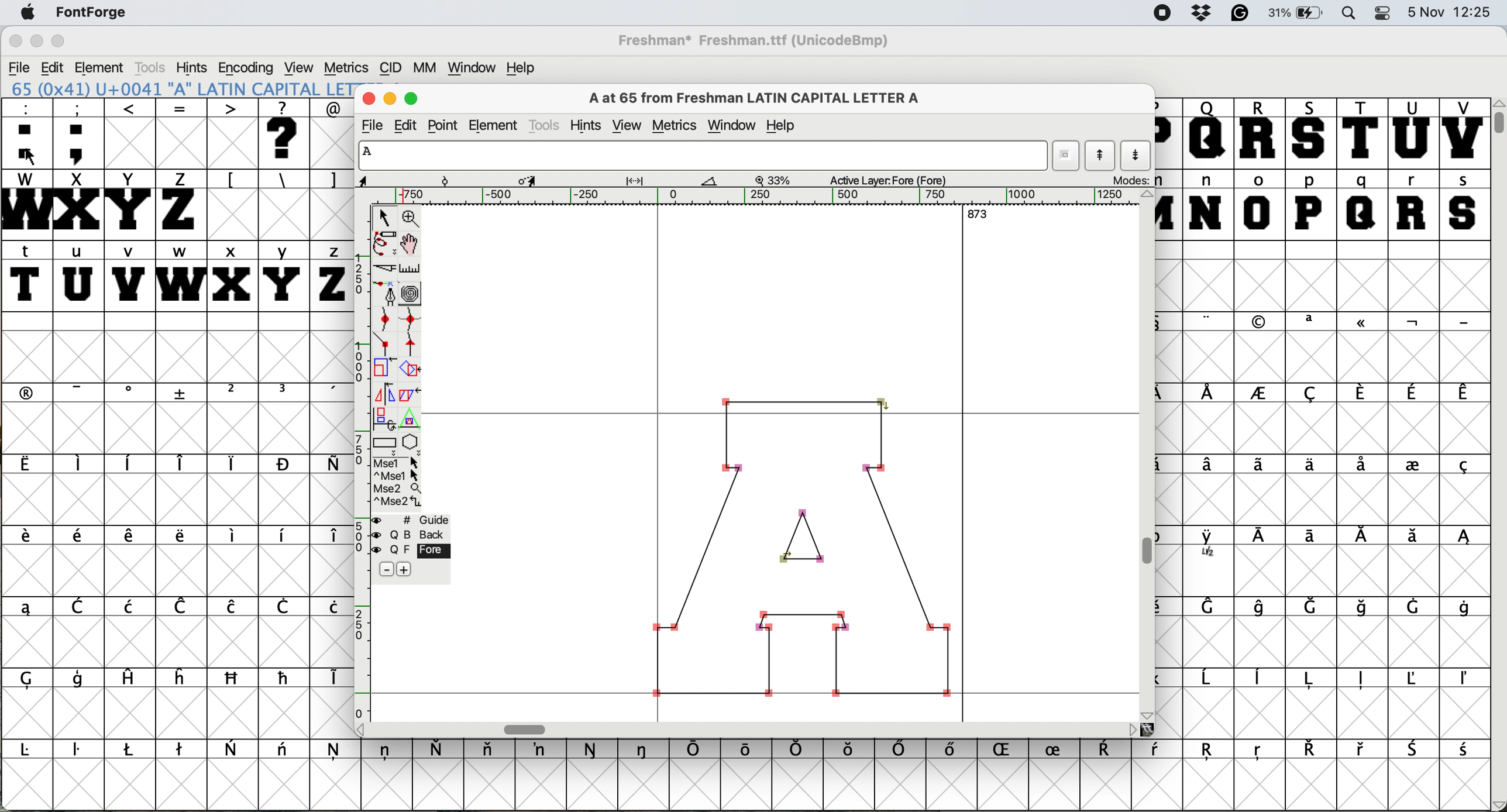 The height and width of the screenshot is (812, 1507). Describe the element at coordinates (130, 393) in the screenshot. I see `symbol` at that location.